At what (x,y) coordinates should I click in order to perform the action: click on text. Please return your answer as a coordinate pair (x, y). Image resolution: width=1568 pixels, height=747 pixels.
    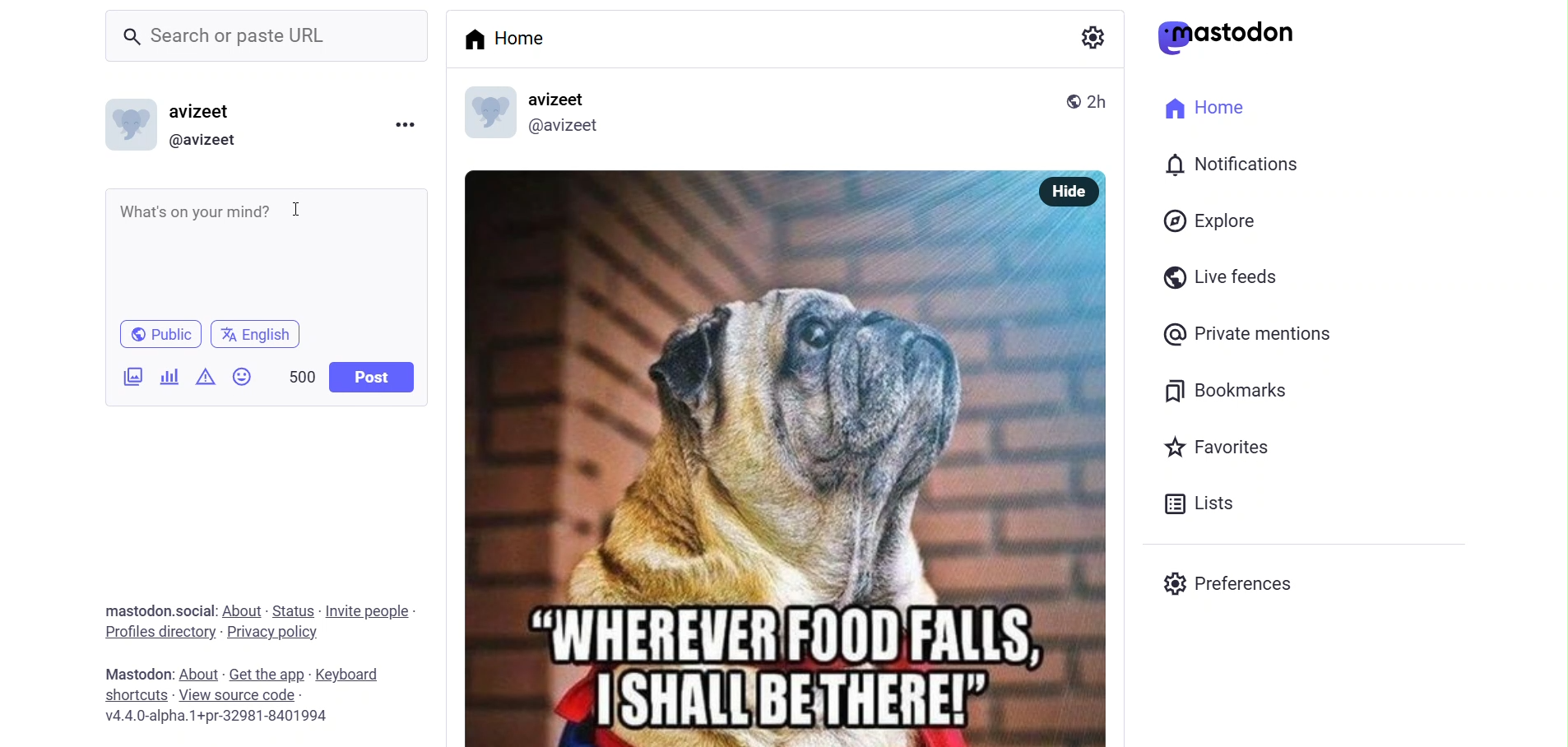
    Looking at the image, I should click on (137, 673).